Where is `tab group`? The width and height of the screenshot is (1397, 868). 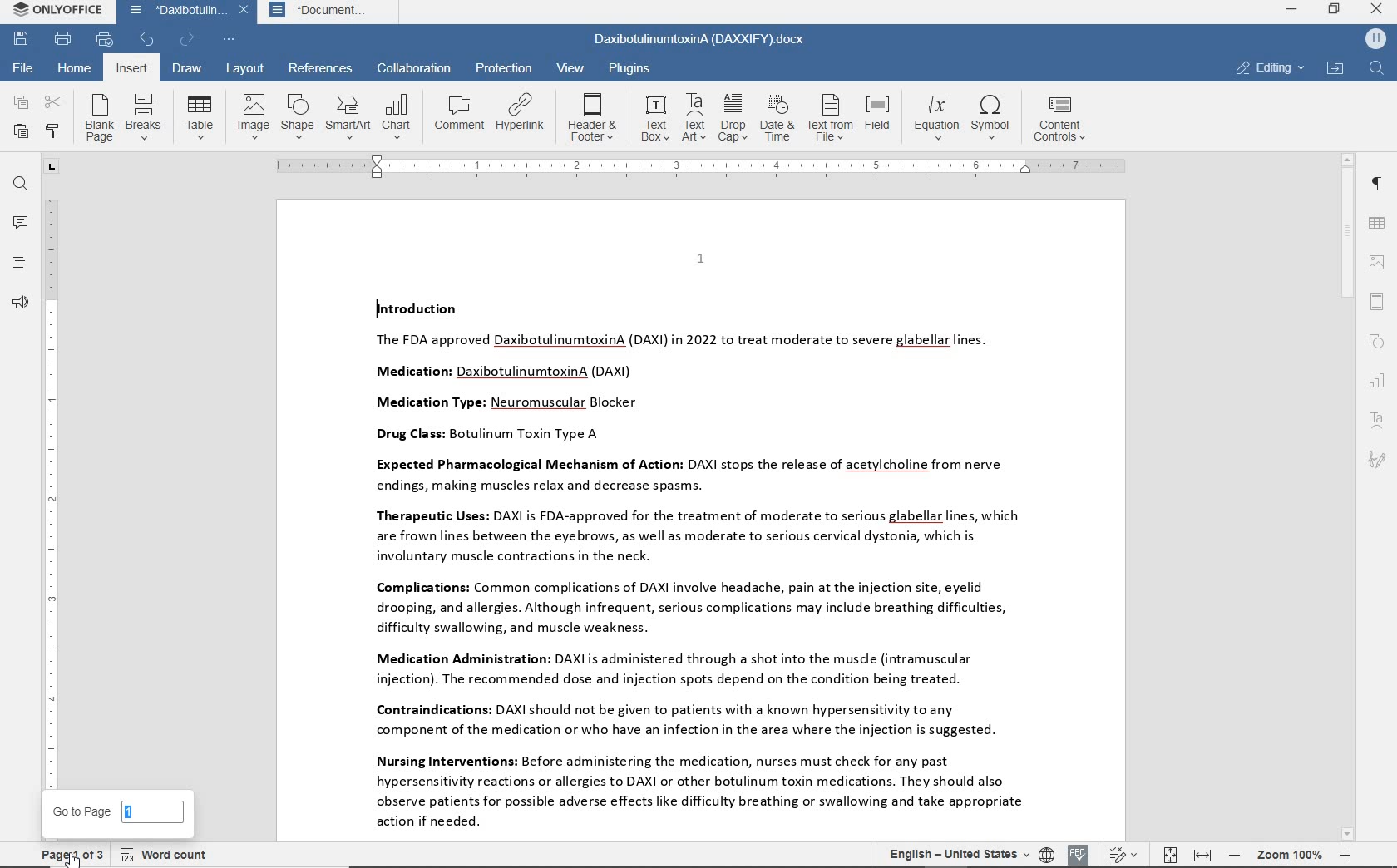 tab group is located at coordinates (51, 167).